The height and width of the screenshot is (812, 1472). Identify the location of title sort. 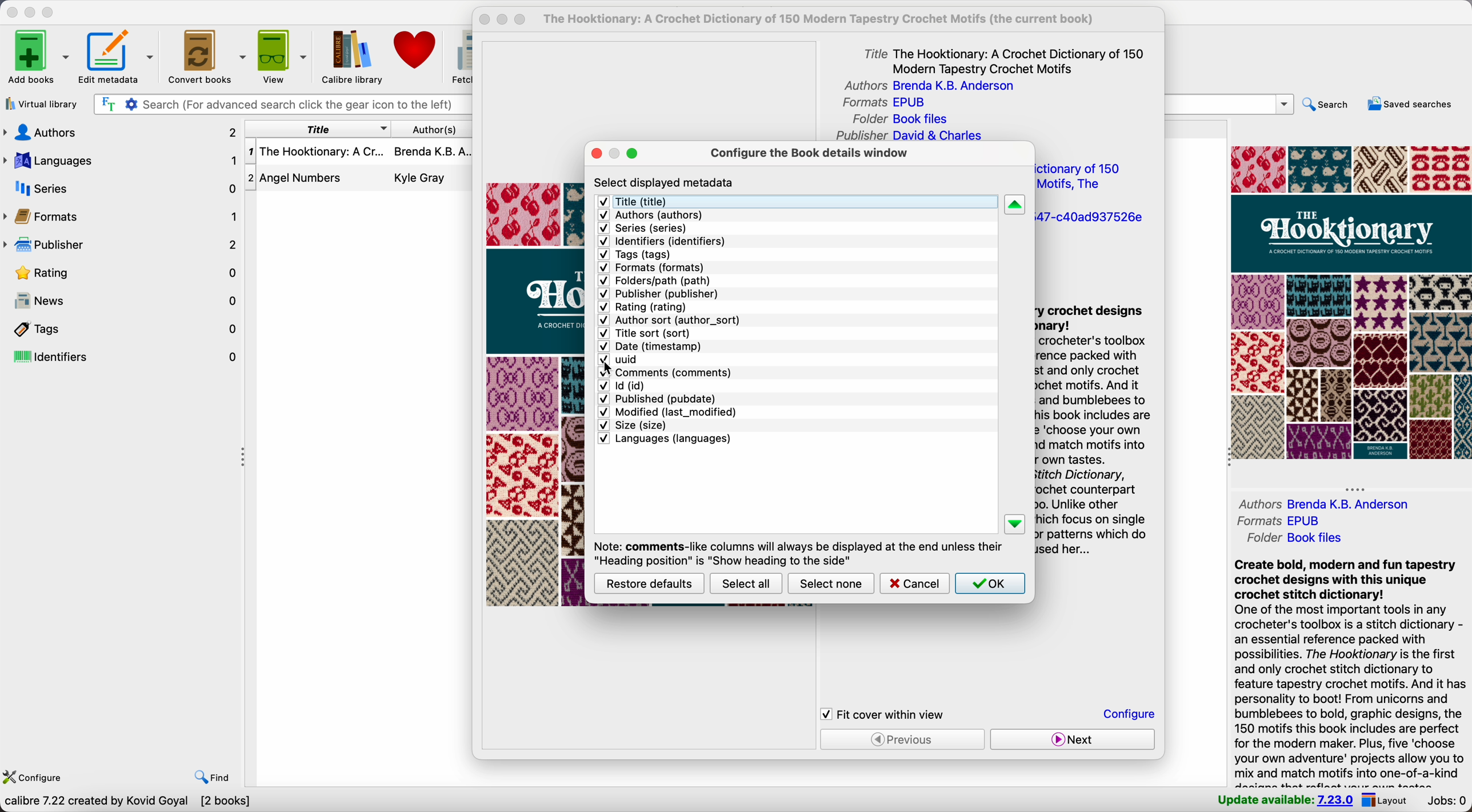
(1084, 177).